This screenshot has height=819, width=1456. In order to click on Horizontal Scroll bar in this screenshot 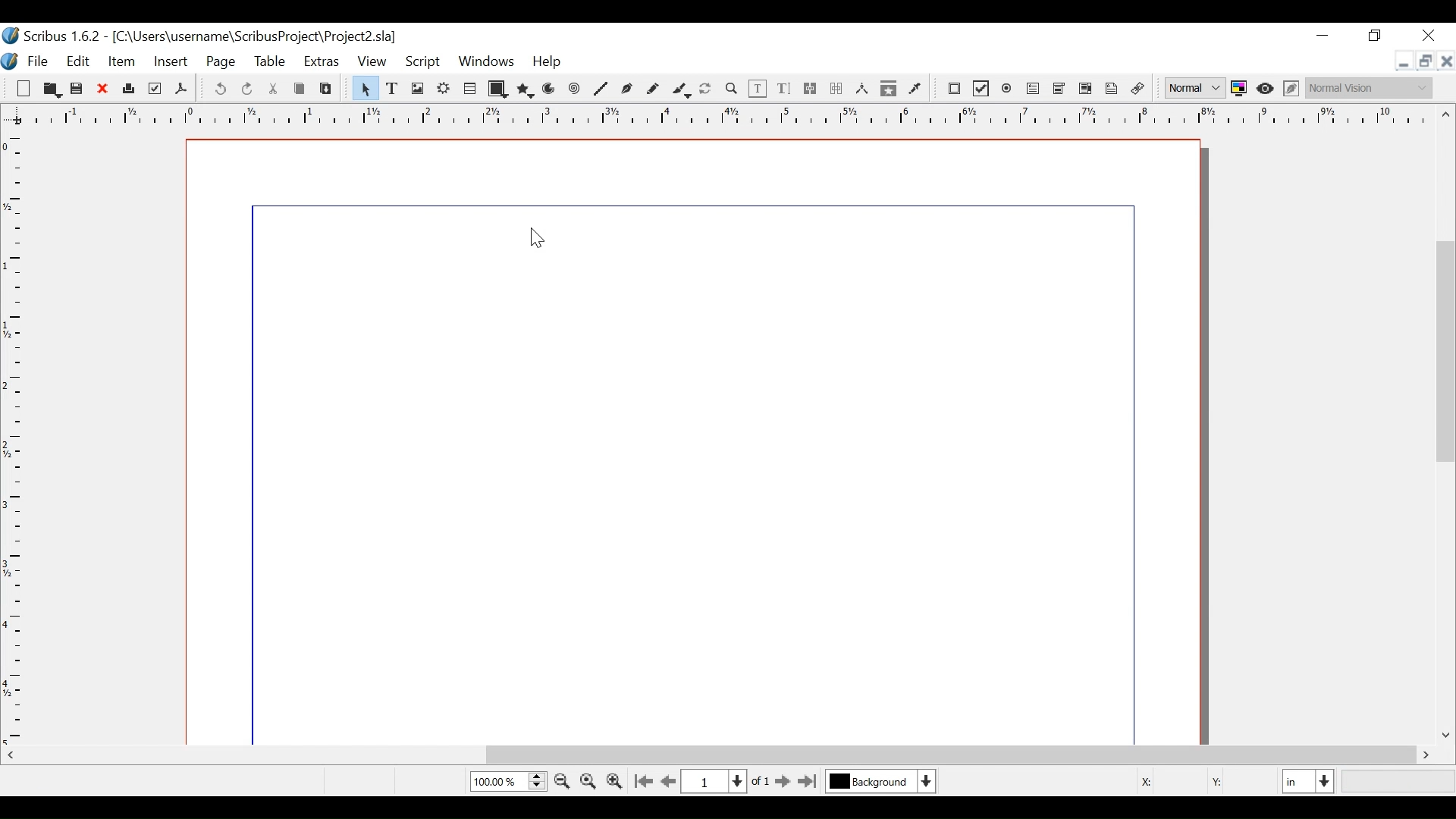, I will do `click(950, 755)`.